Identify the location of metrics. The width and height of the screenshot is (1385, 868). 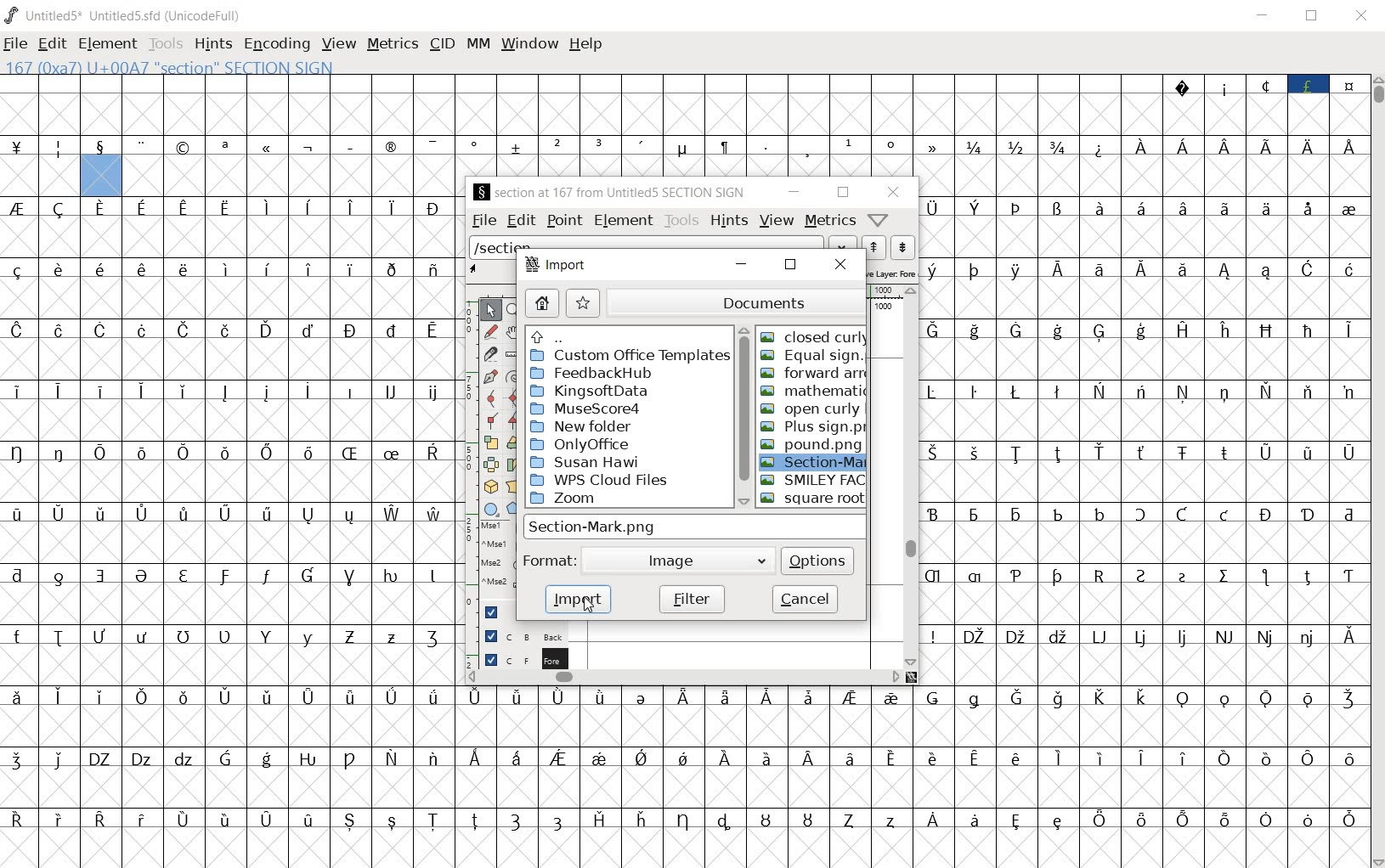
(829, 221).